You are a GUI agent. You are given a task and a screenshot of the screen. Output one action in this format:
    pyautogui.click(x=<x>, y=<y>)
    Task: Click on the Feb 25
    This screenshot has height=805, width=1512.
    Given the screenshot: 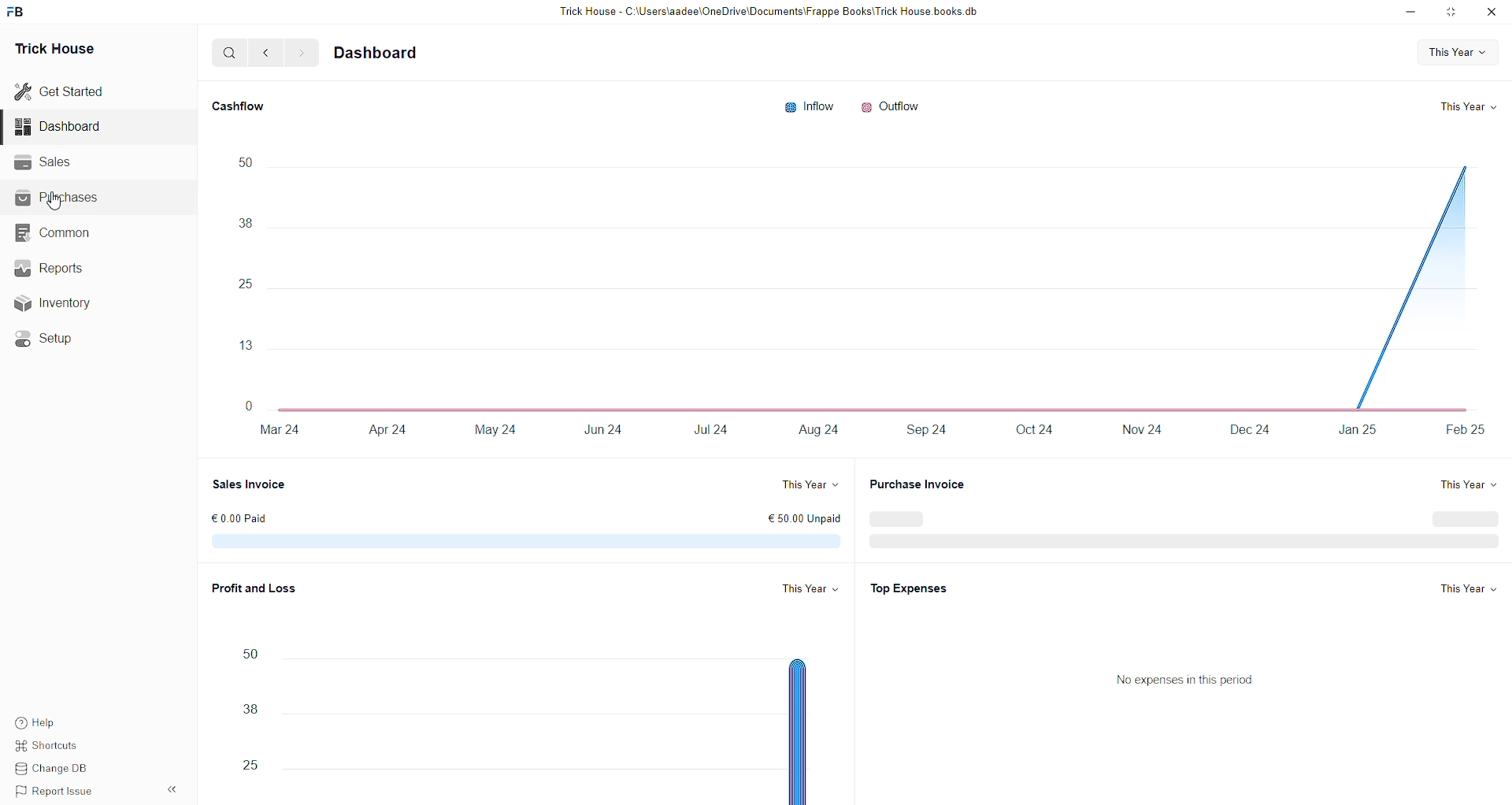 What is the action you would take?
    pyautogui.click(x=1463, y=429)
    